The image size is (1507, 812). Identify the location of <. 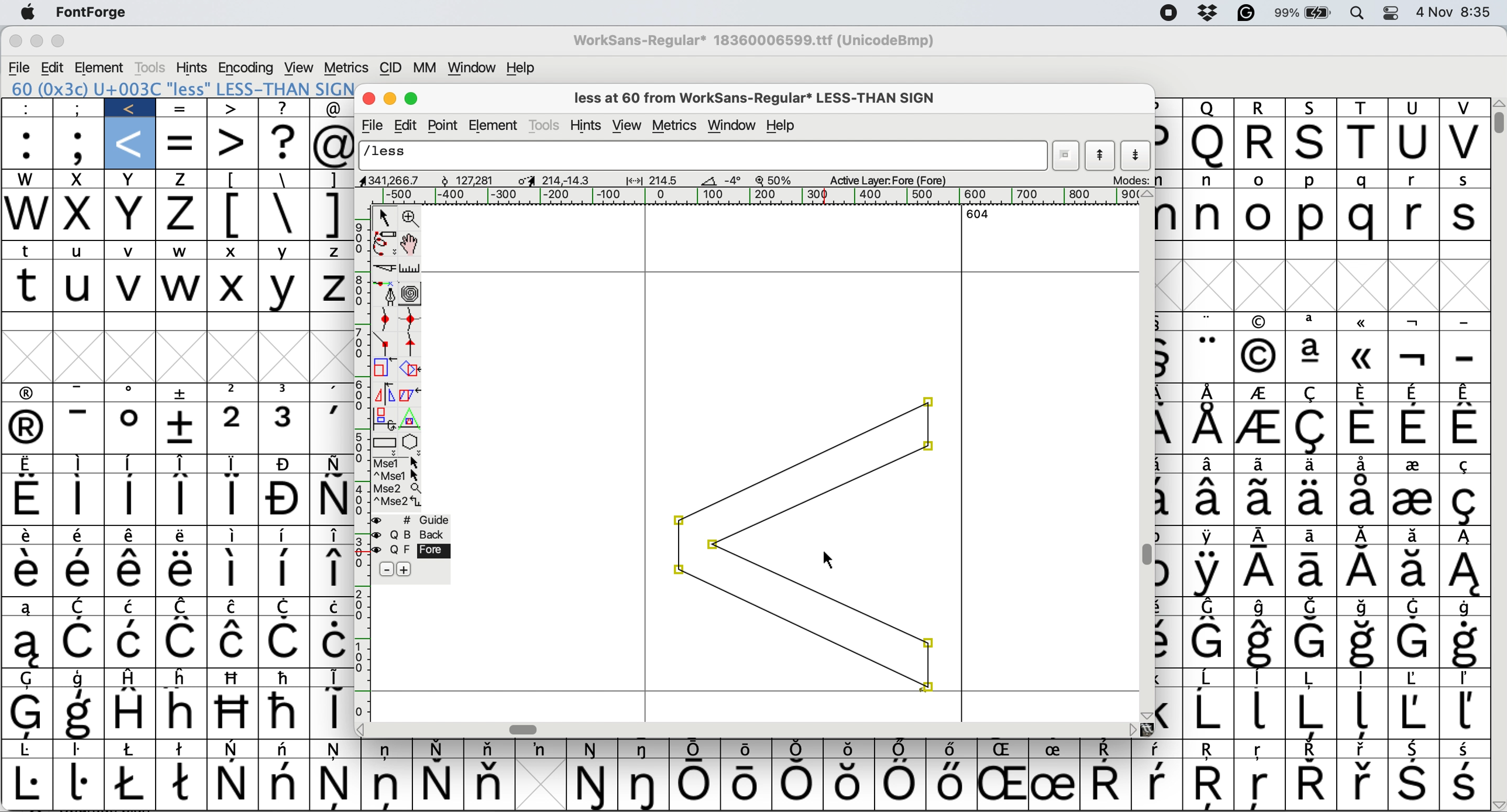
(132, 108).